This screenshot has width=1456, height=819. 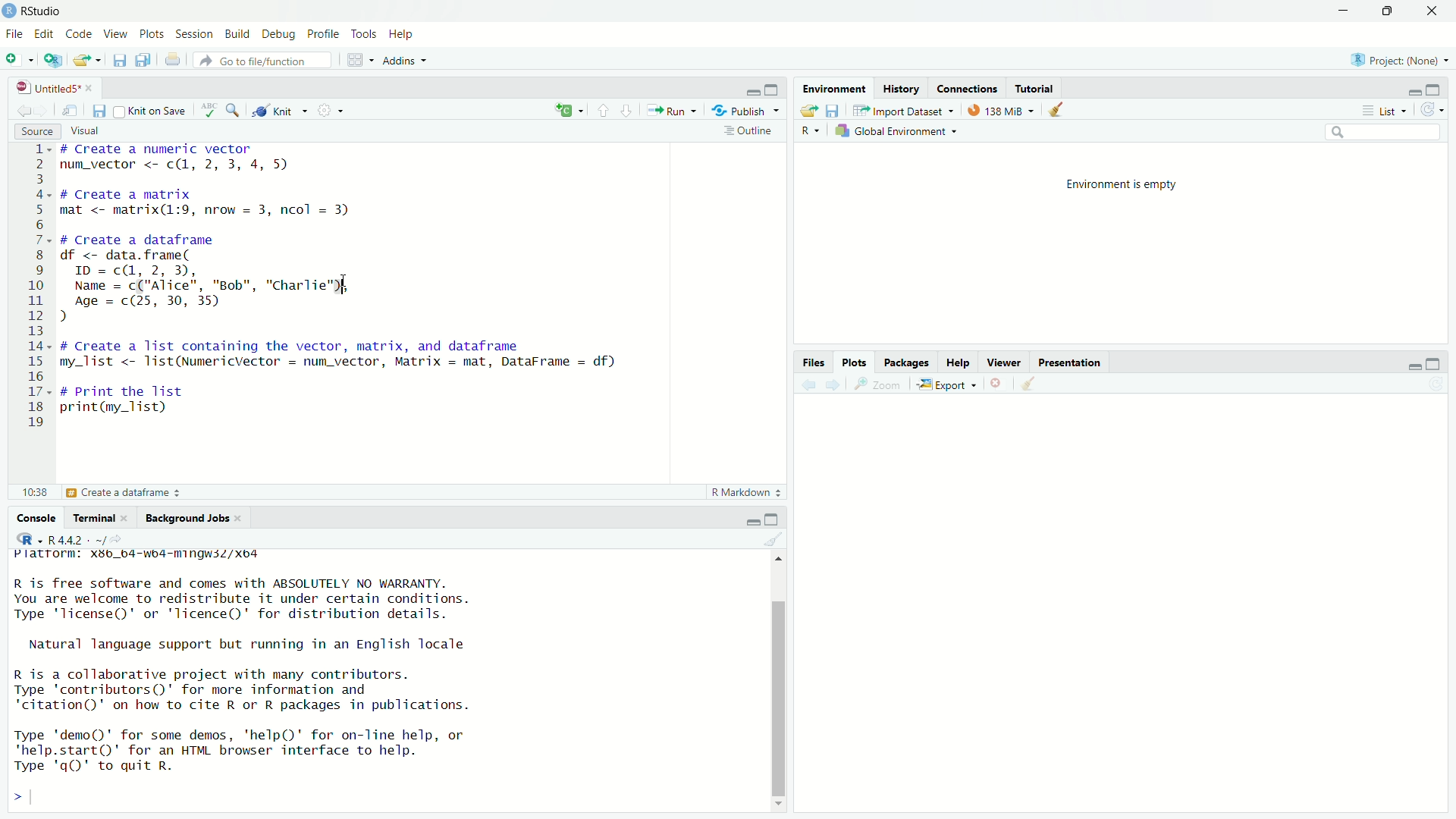 What do you see at coordinates (1432, 108) in the screenshot?
I see `refresh` at bounding box center [1432, 108].